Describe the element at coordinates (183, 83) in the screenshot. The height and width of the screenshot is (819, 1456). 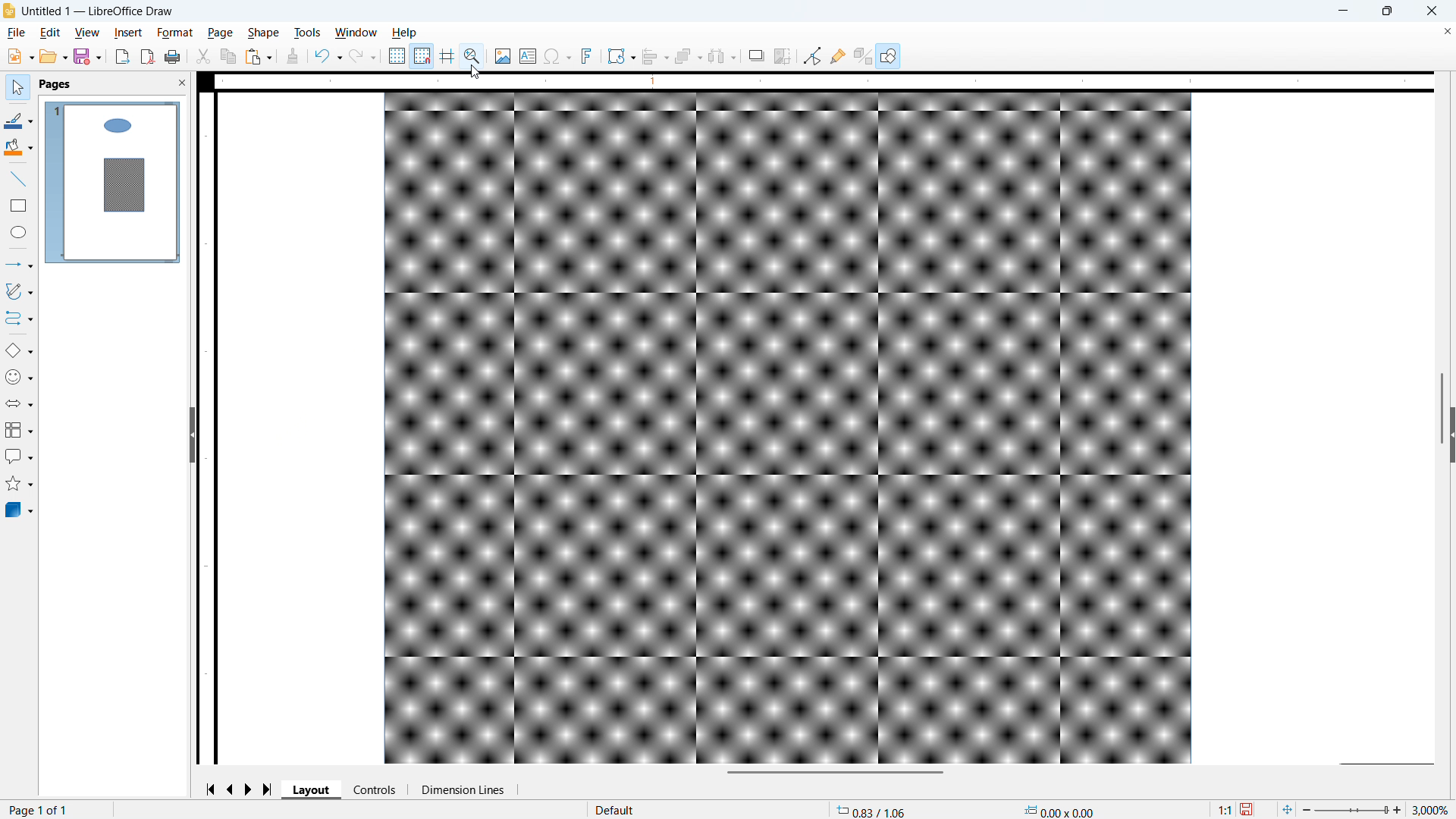
I see `Close panel ` at that location.